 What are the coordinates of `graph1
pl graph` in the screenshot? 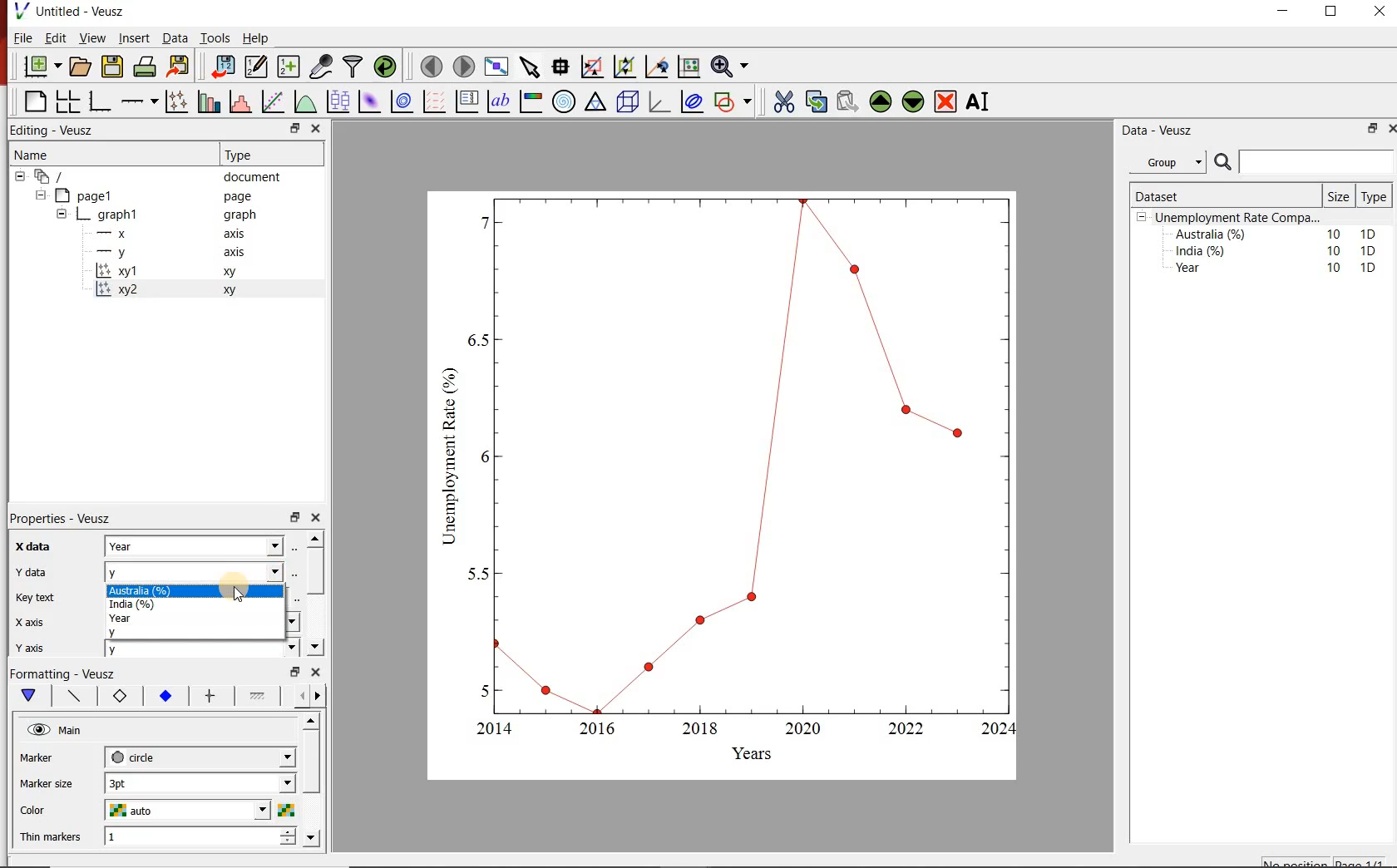 It's located at (172, 215).